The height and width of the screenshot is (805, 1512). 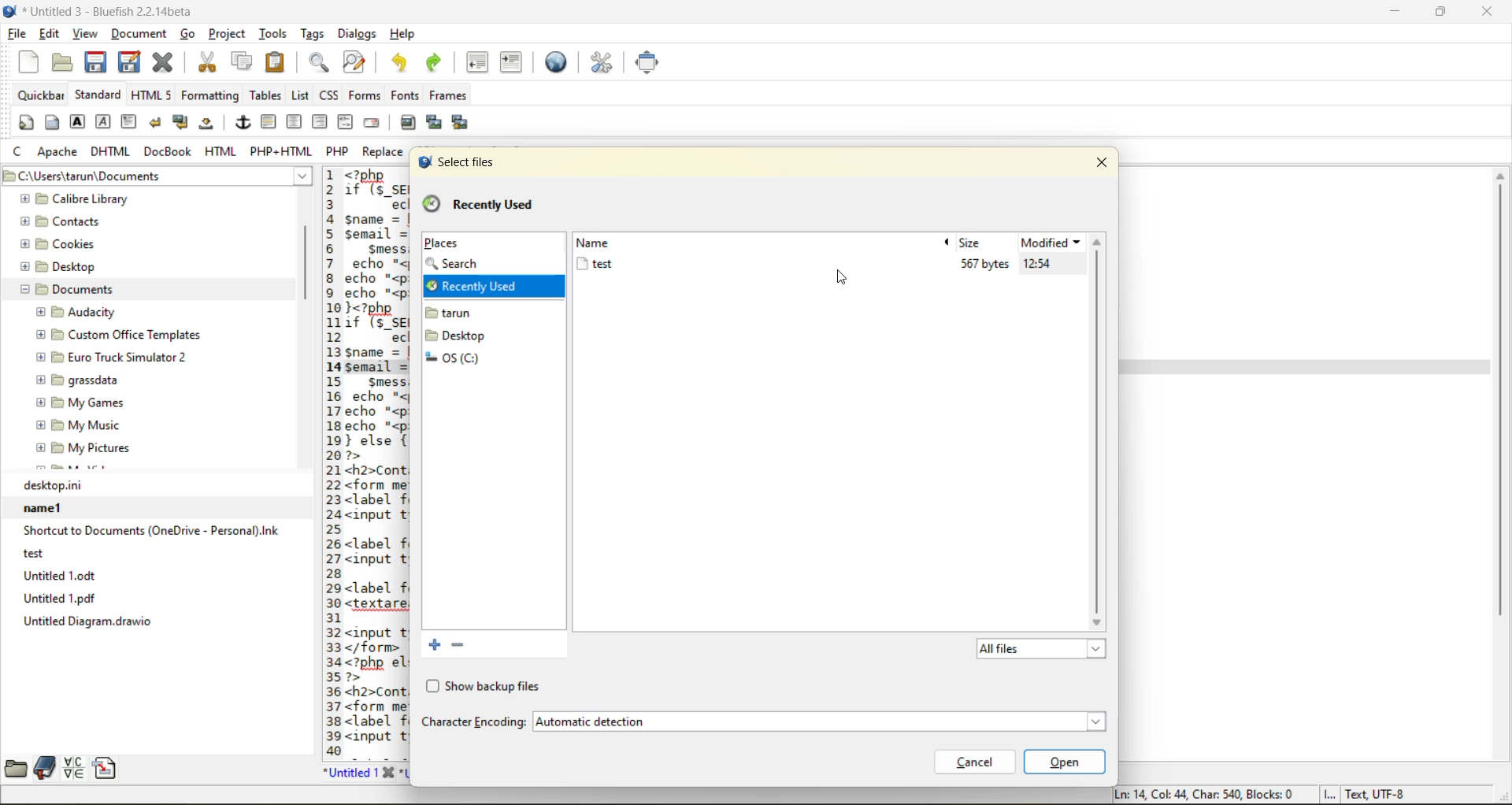 What do you see at coordinates (358, 772) in the screenshot?
I see `untitled 1 tab` at bounding box center [358, 772].